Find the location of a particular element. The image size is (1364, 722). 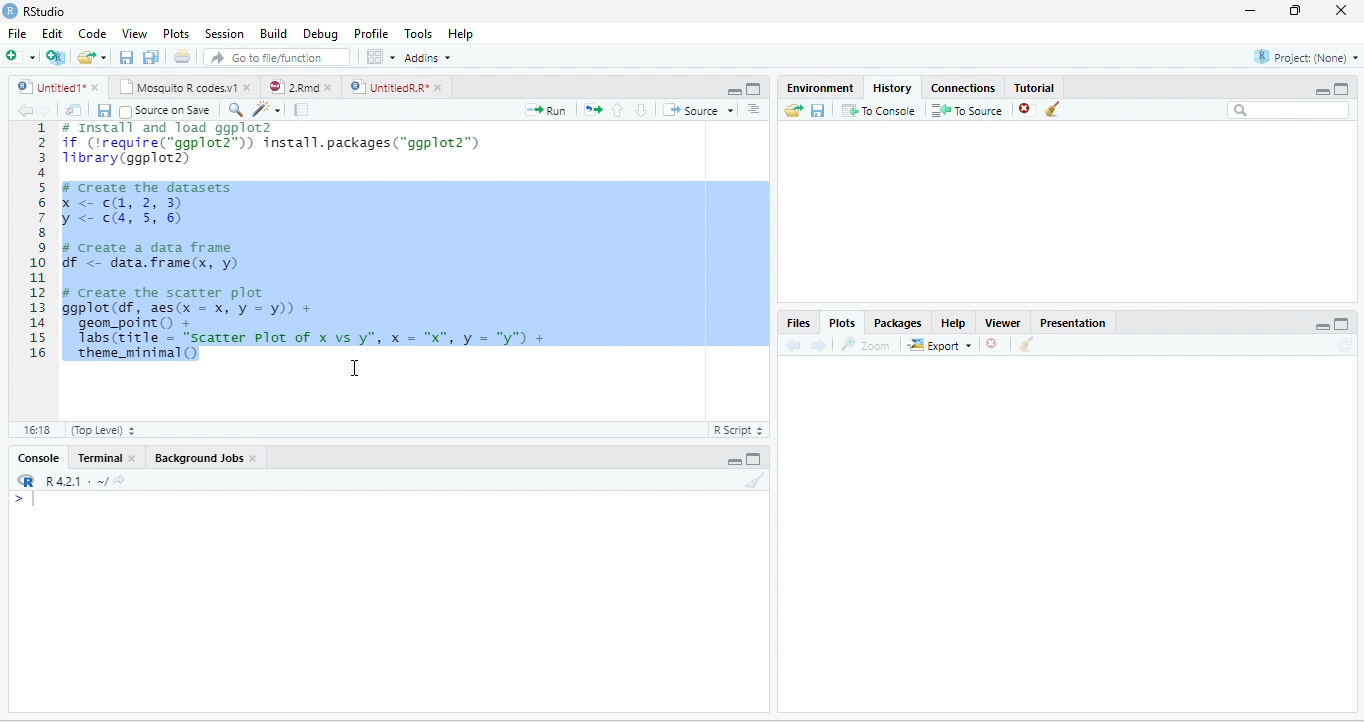

minimize is located at coordinates (1251, 11).